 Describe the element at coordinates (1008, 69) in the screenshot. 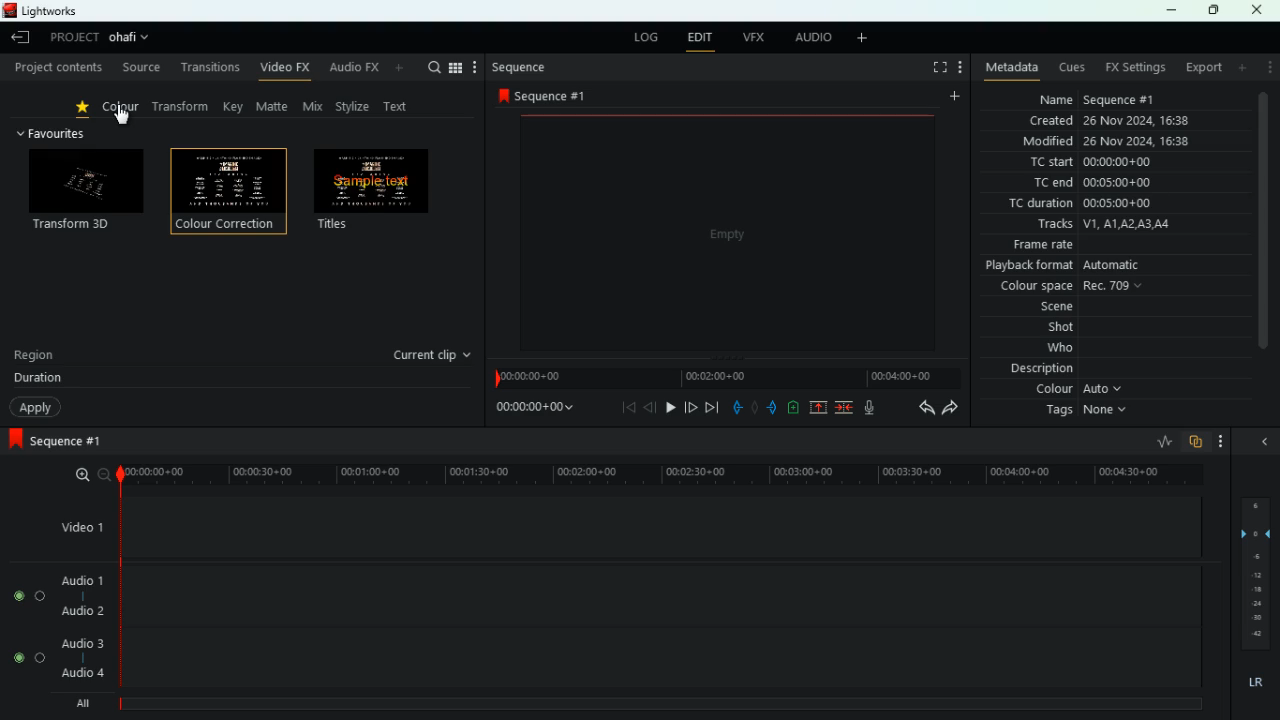

I see `metadata` at that location.